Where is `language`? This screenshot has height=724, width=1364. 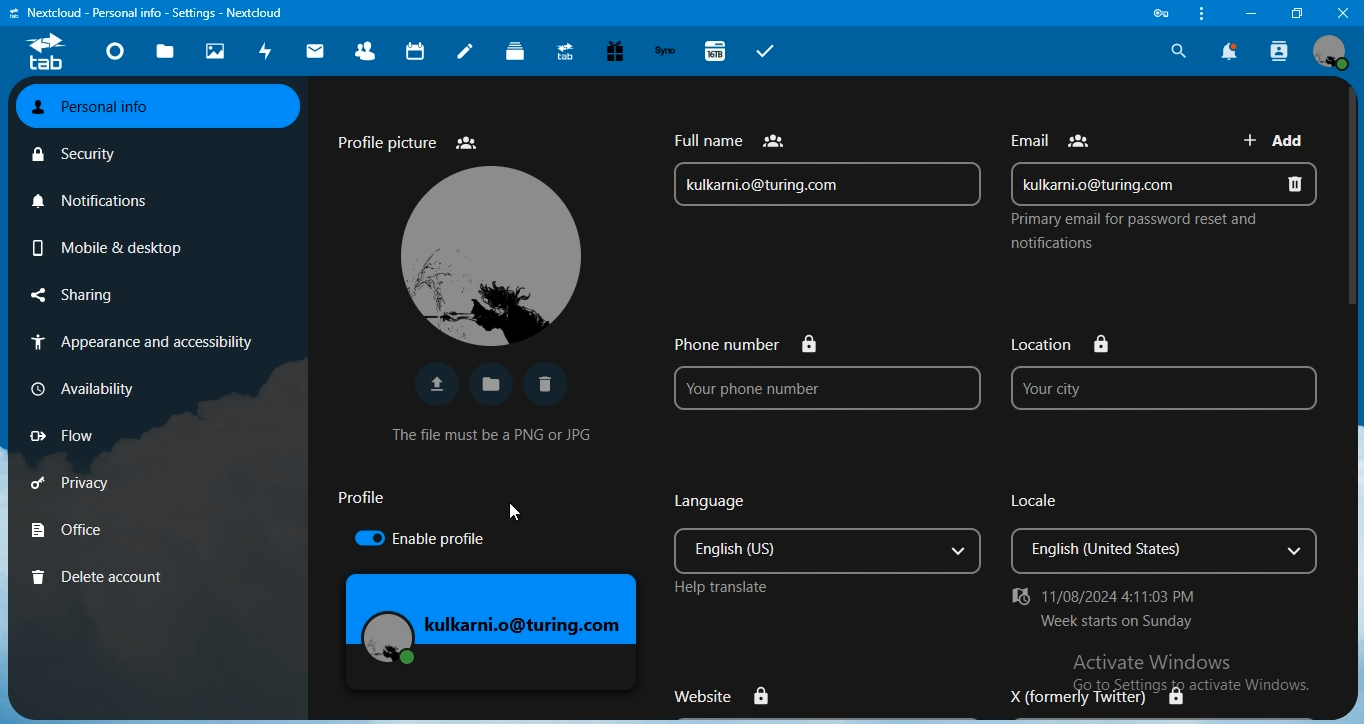 language is located at coordinates (829, 537).